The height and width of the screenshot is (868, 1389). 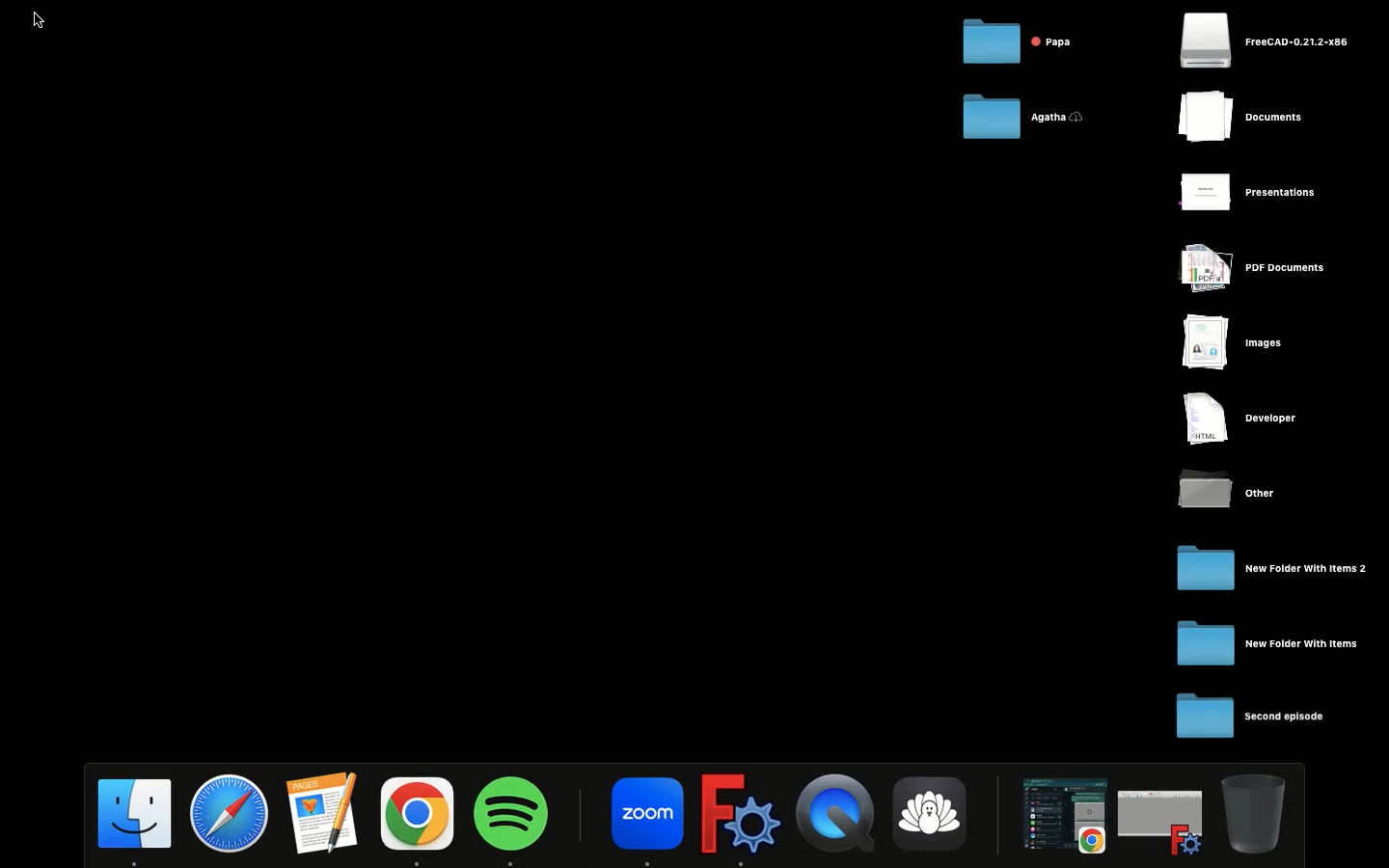 I want to click on Other, so click(x=1232, y=488).